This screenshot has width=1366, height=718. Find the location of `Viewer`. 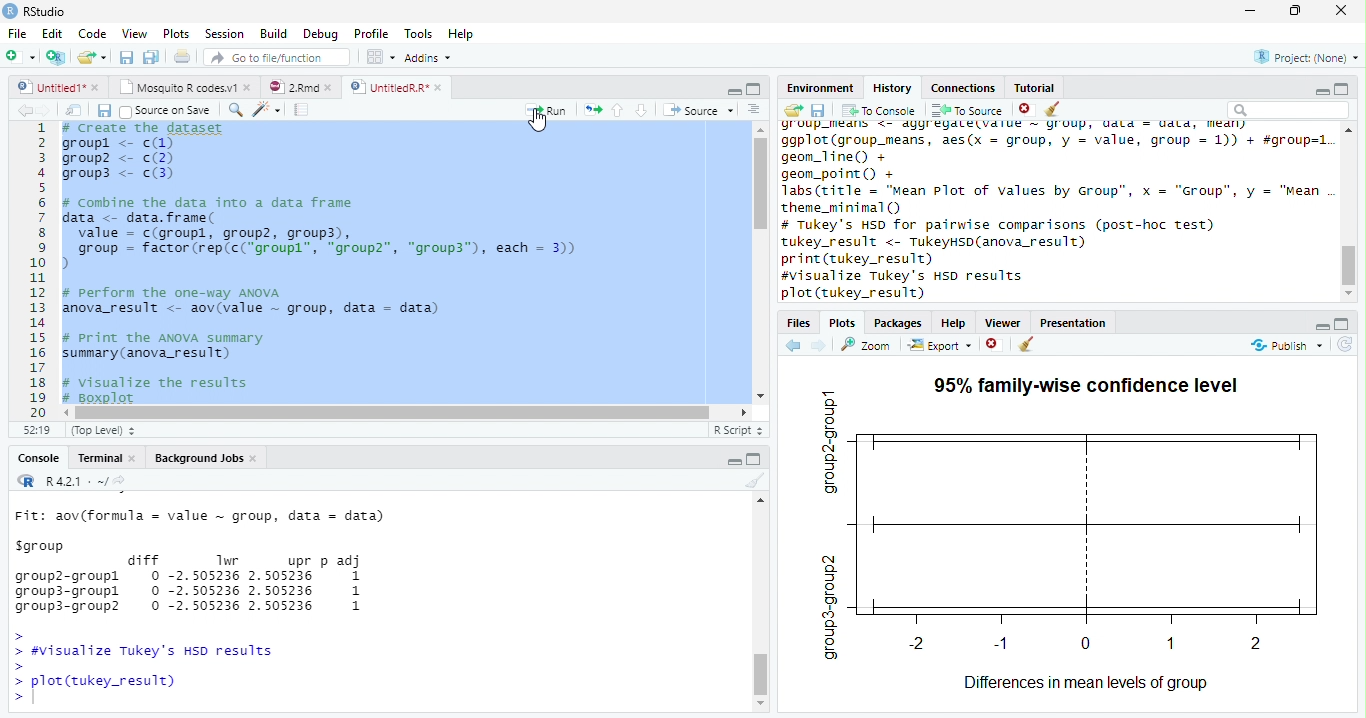

Viewer is located at coordinates (1005, 322).